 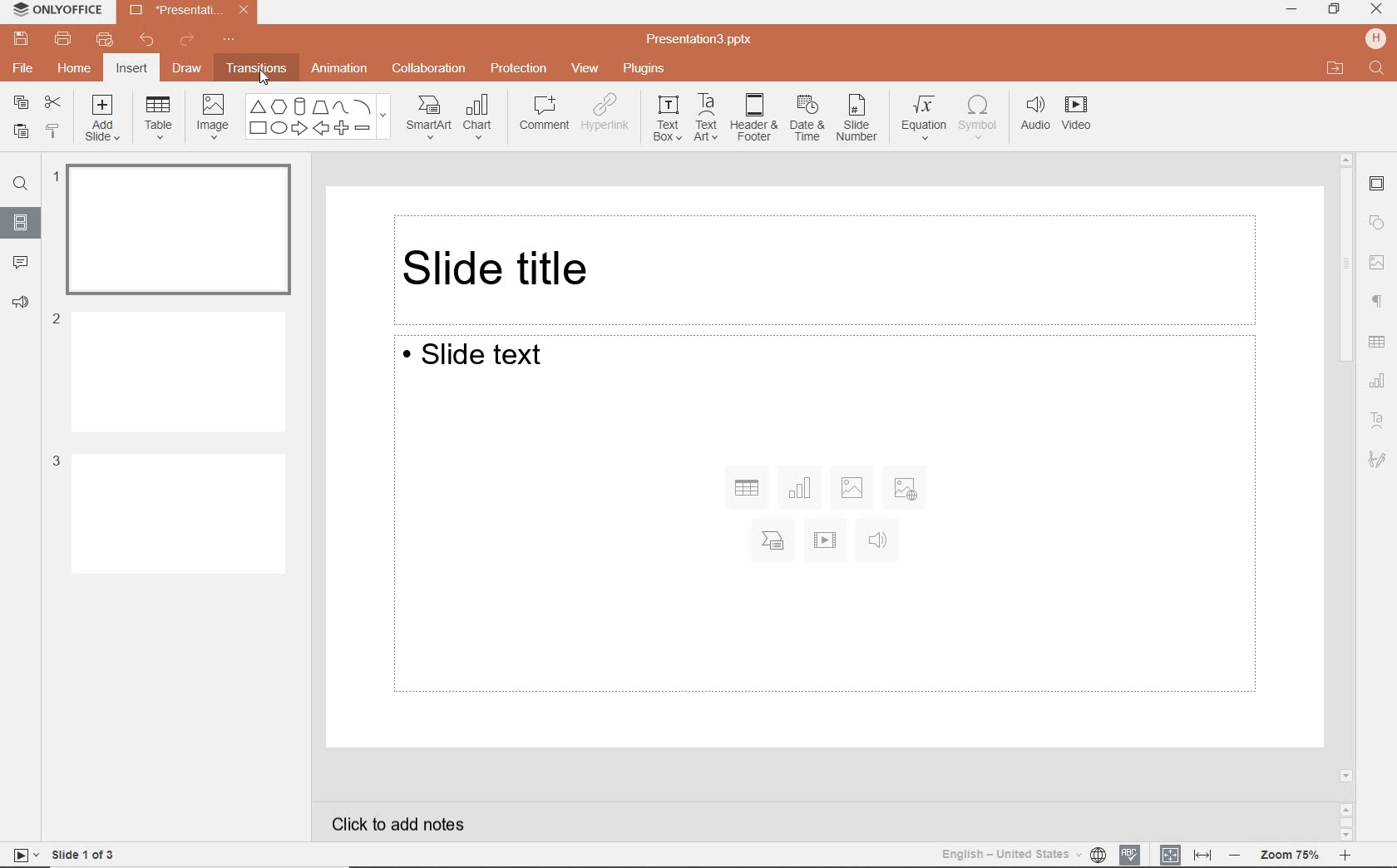 What do you see at coordinates (76, 70) in the screenshot?
I see `home` at bounding box center [76, 70].